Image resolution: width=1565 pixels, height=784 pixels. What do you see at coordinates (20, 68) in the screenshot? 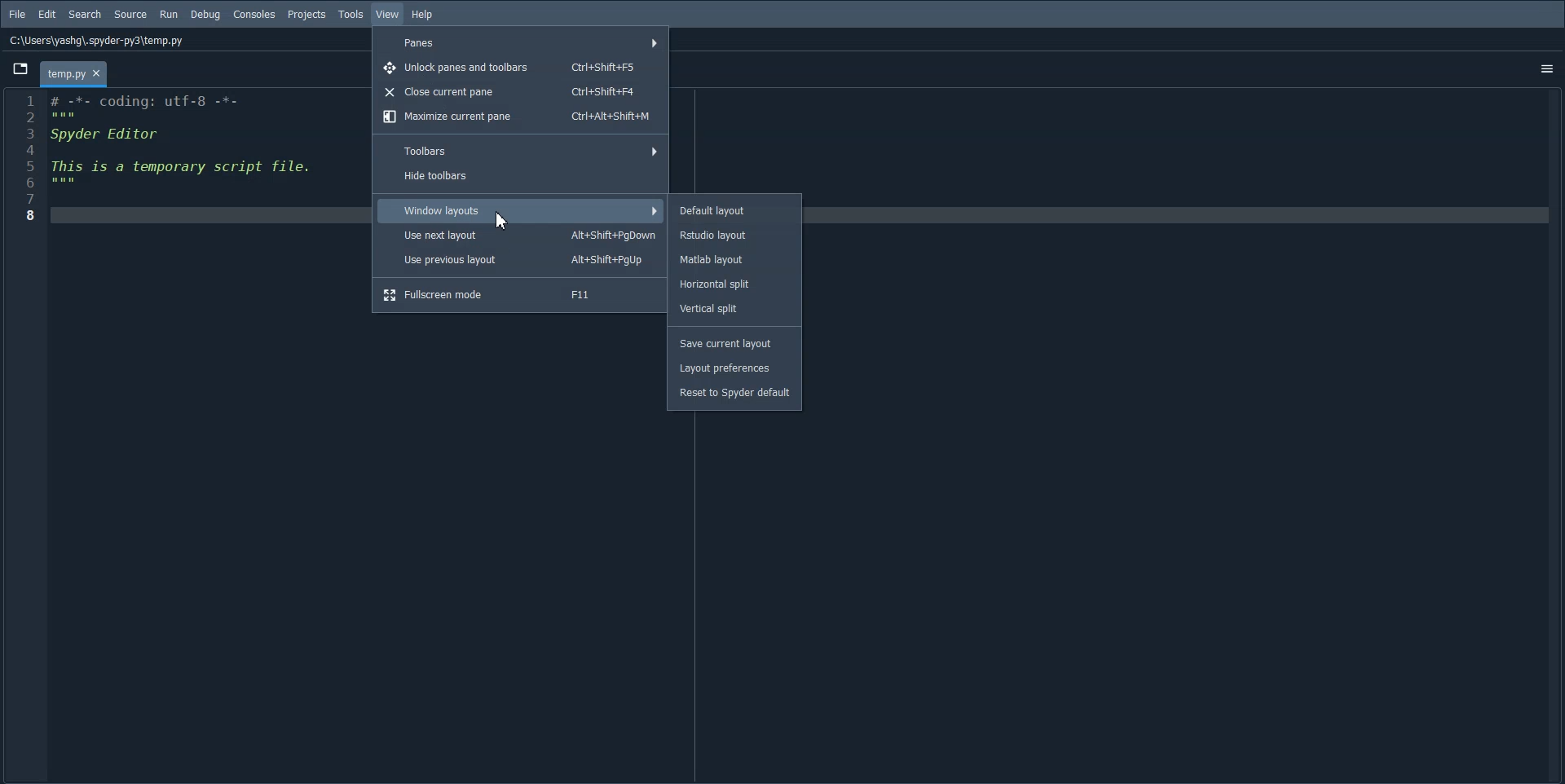
I see `Browse Tab` at bounding box center [20, 68].